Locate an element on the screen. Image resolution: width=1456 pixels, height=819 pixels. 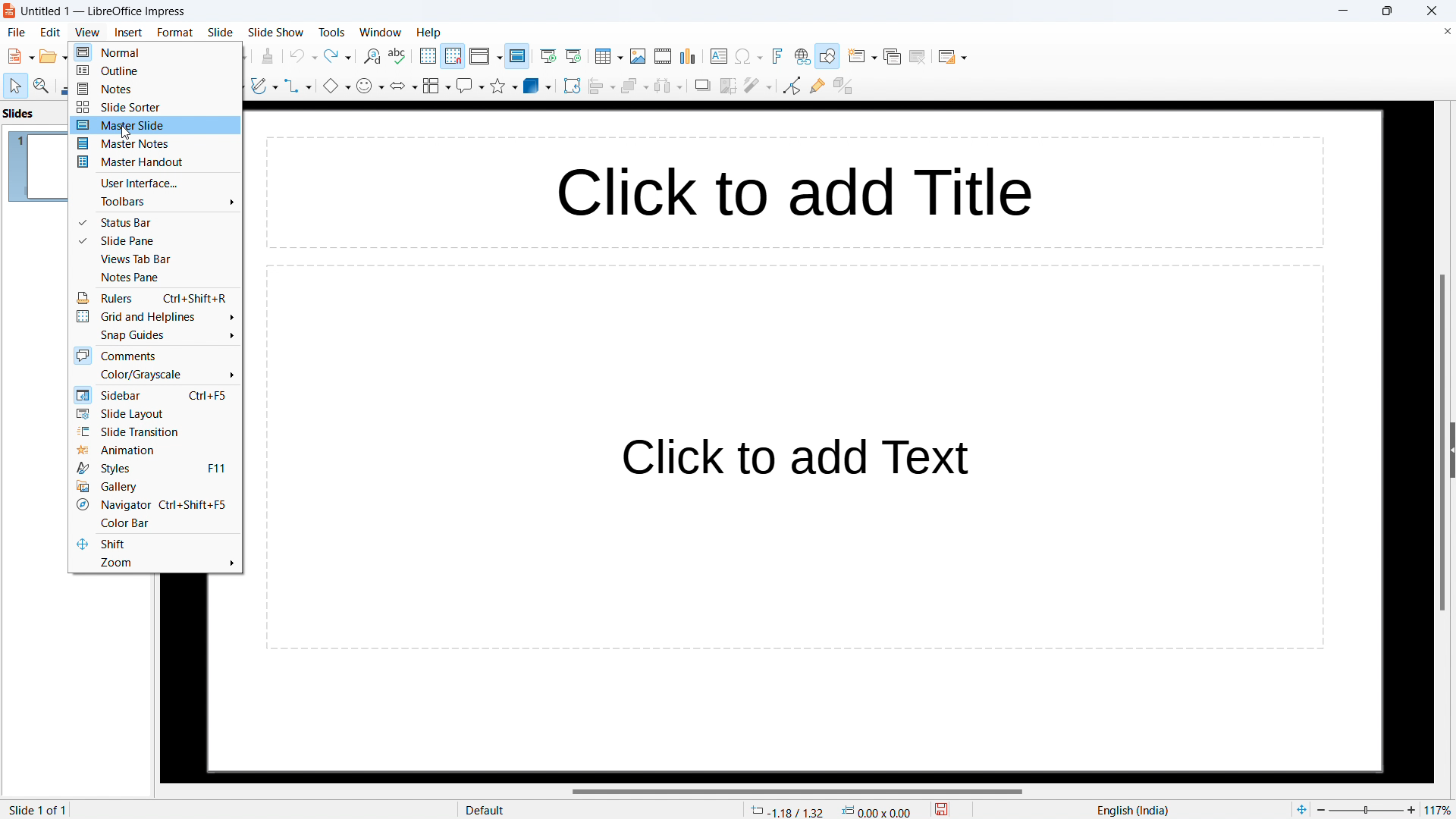
user interface is located at coordinates (155, 182).